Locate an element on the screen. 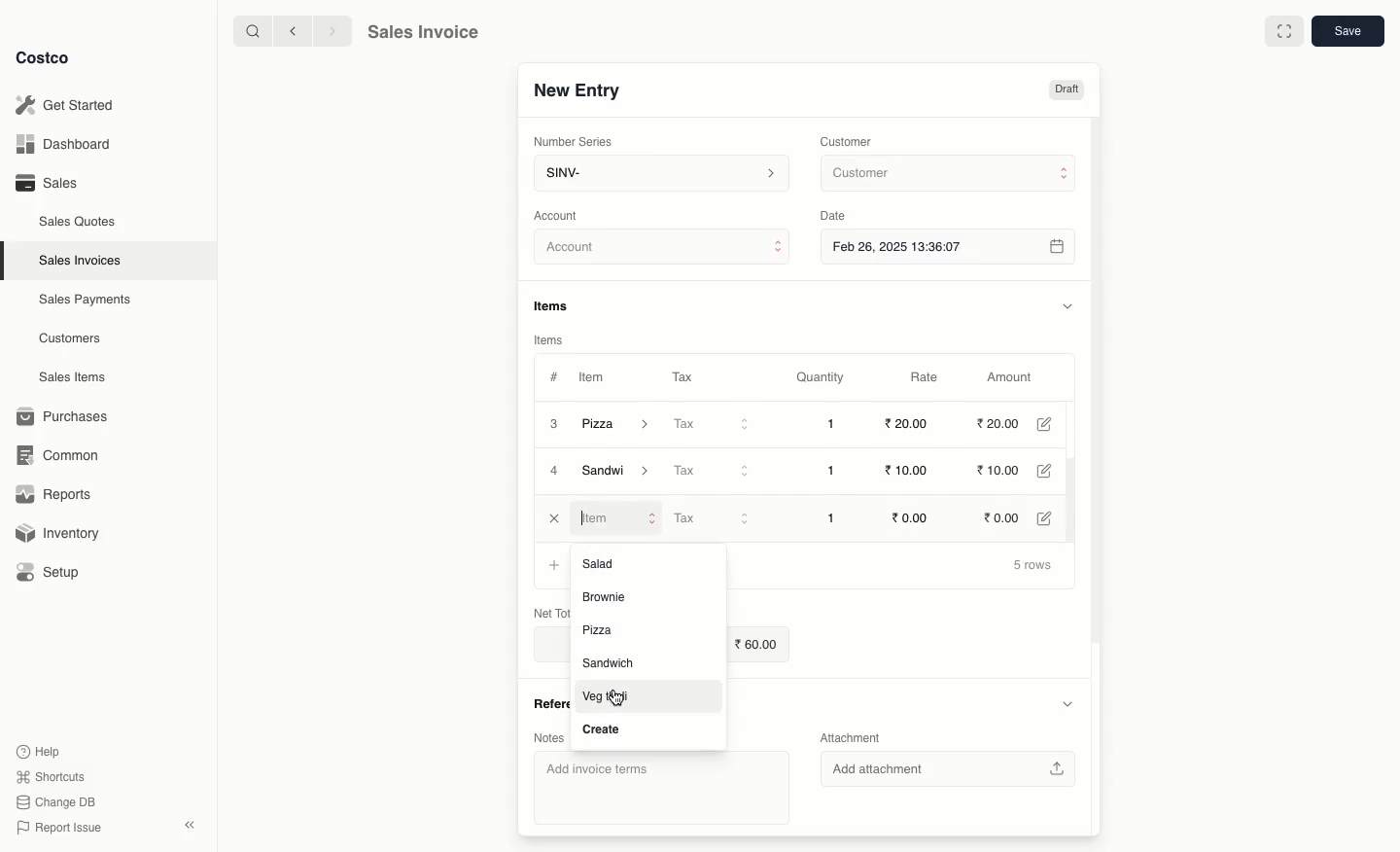  Change DB is located at coordinates (52, 800).